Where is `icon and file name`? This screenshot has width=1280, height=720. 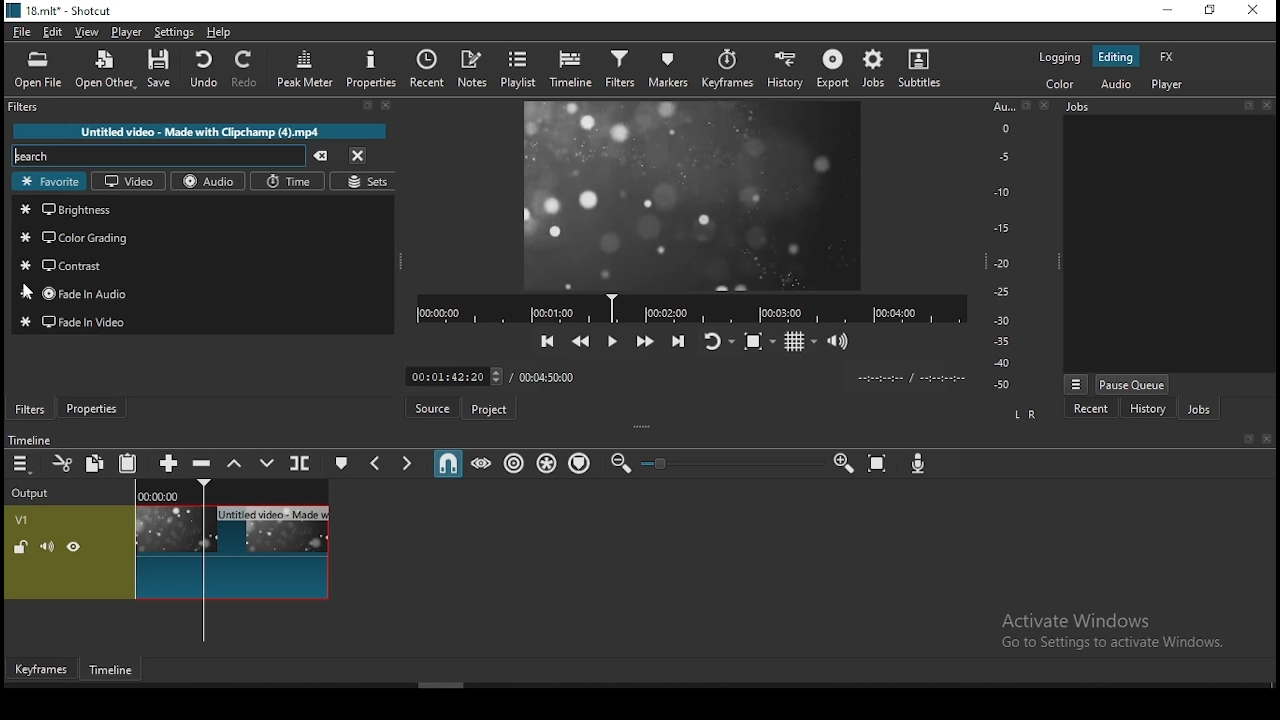
icon and file name is located at coordinates (58, 11).